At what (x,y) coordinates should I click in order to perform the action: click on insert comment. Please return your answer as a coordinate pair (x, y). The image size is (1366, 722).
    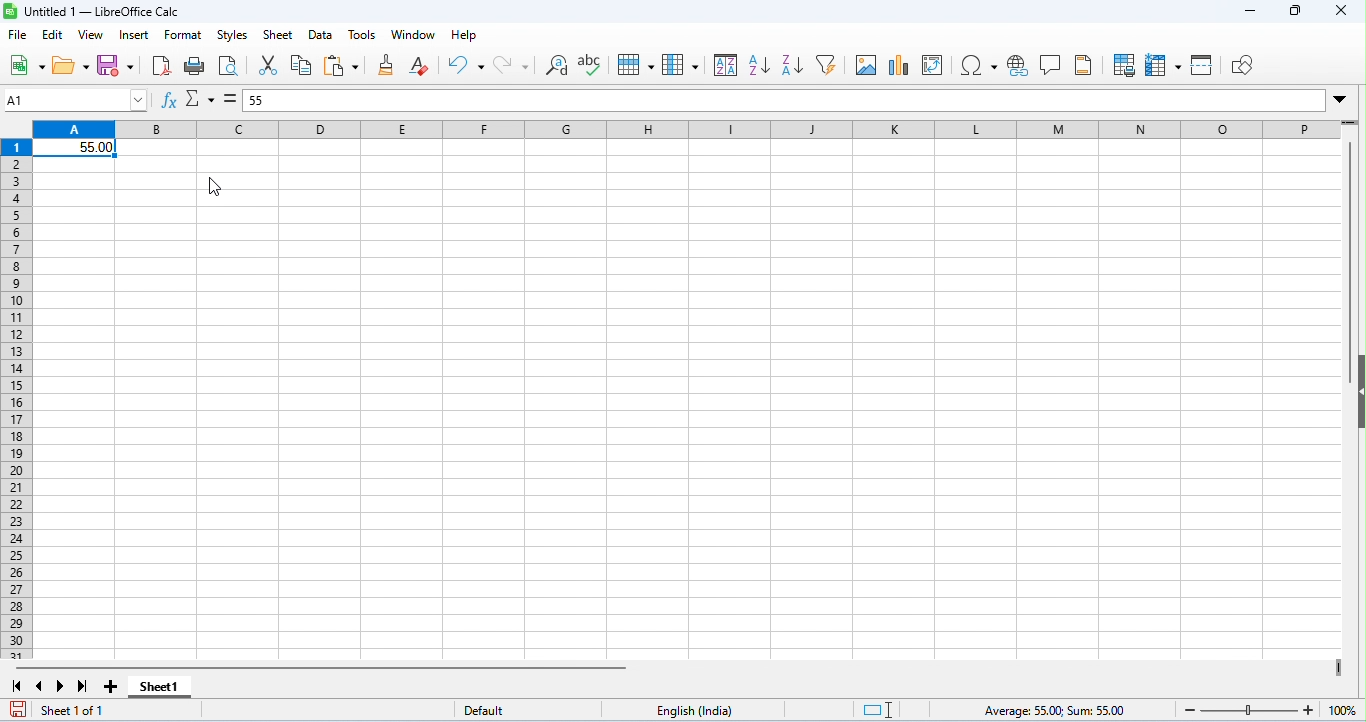
    Looking at the image, I should click on (1052, 65).